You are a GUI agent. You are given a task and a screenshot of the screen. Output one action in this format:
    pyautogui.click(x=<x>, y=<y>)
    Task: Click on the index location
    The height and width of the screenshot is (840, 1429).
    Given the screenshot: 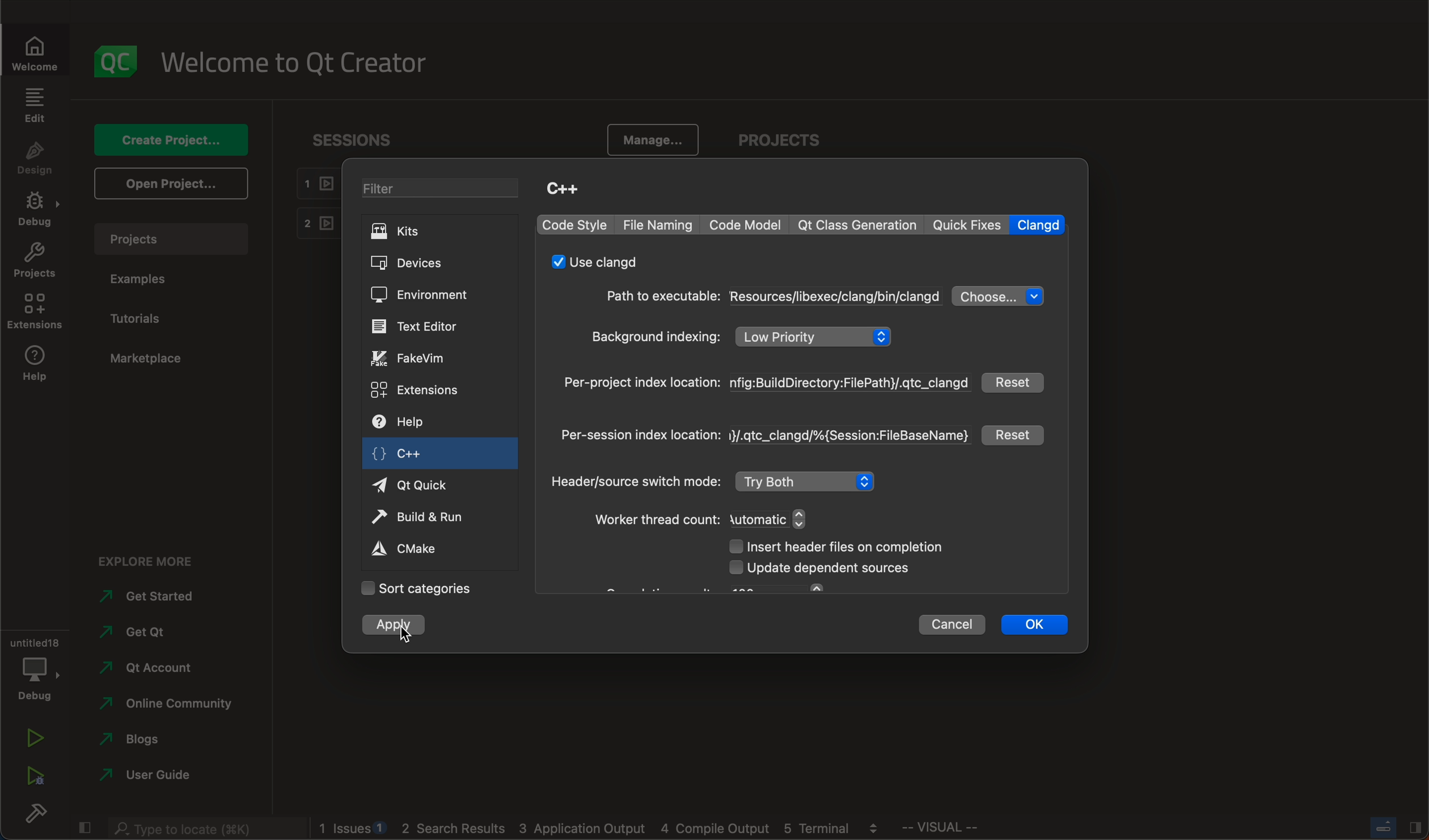 What is the action you would take?
    pyautogui.click(x=764, y=437)
    